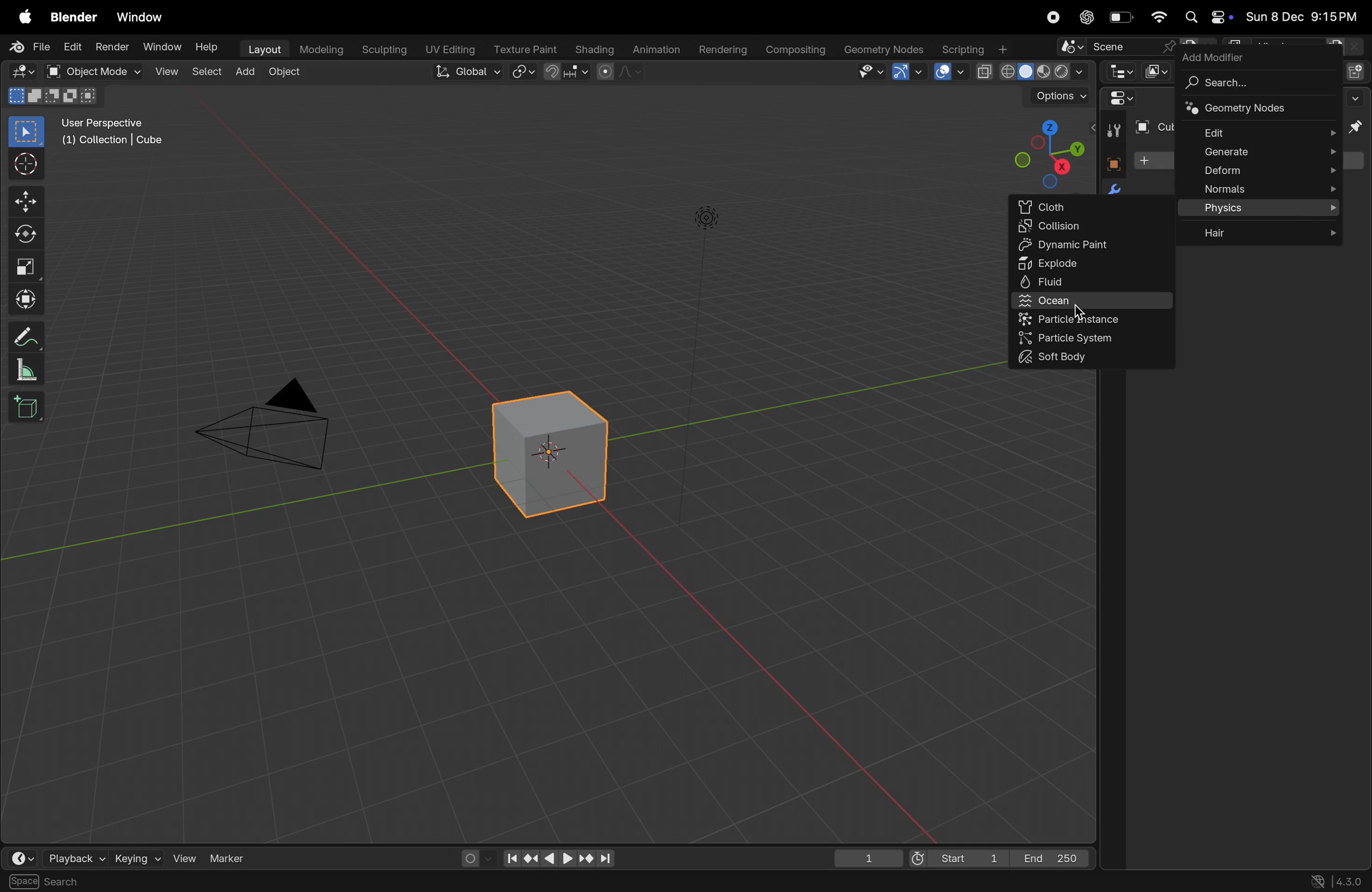 The image size is (1372, 892). What do you see at coordinates (883, 50) in the screenshot?
I see `Gemmerty nodes` at bounding box center [883, 50].